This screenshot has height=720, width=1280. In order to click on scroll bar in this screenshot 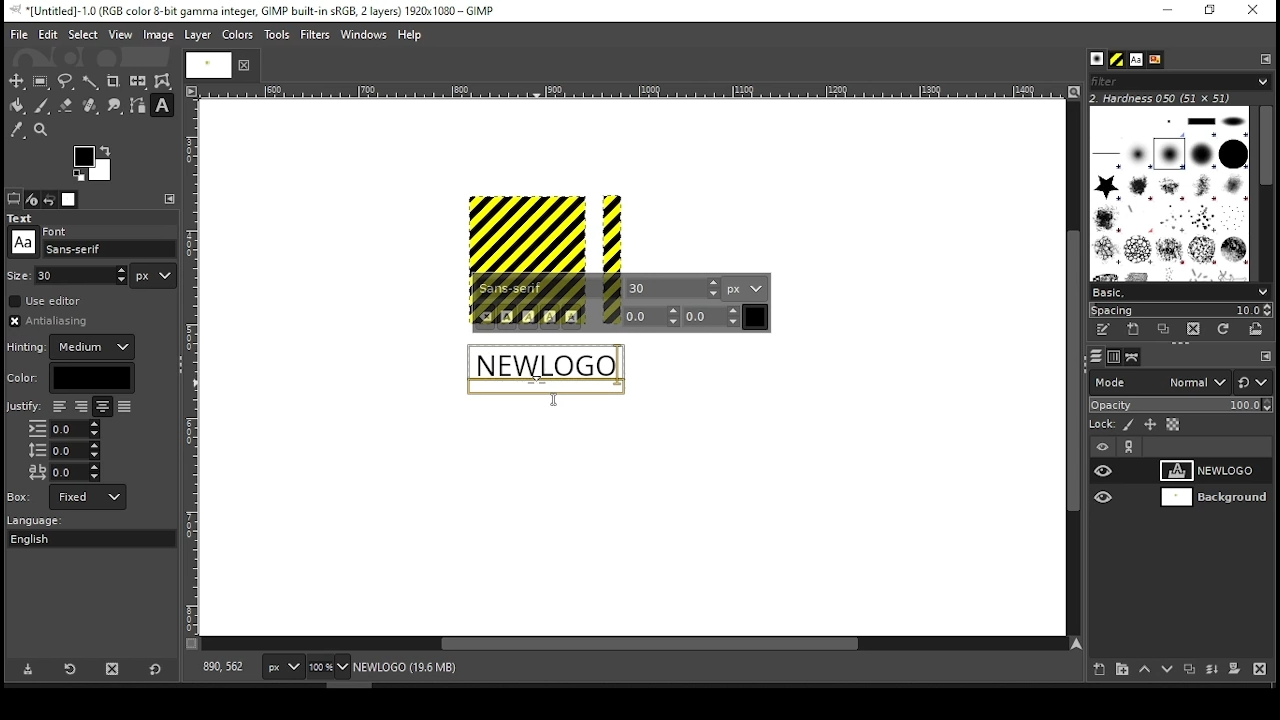, I will do `click(1071, 367)`.